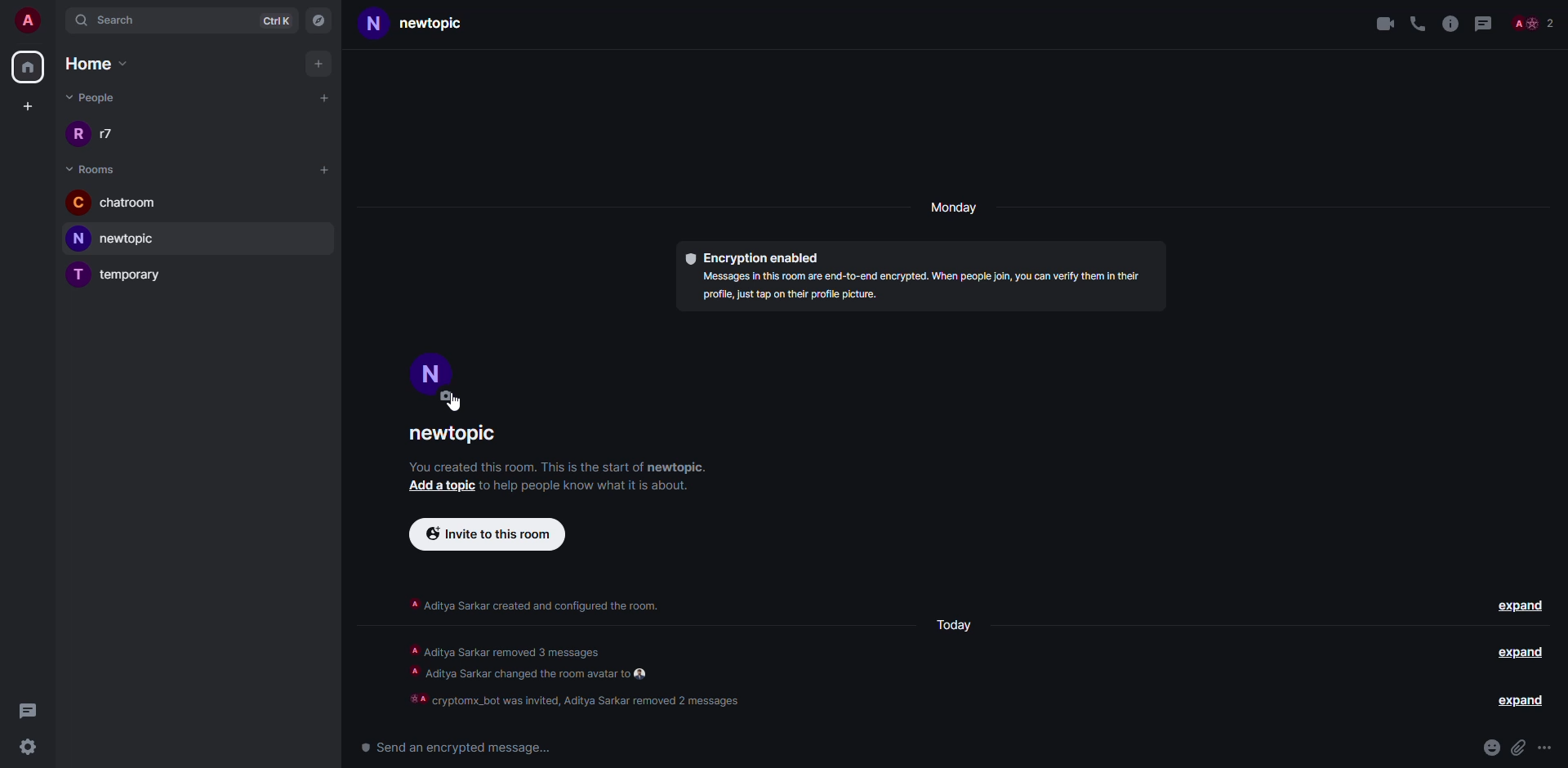  What do you see at coordinates (436, 370) in the screenshot?
I see `profile` at bounding box center [436, 370].